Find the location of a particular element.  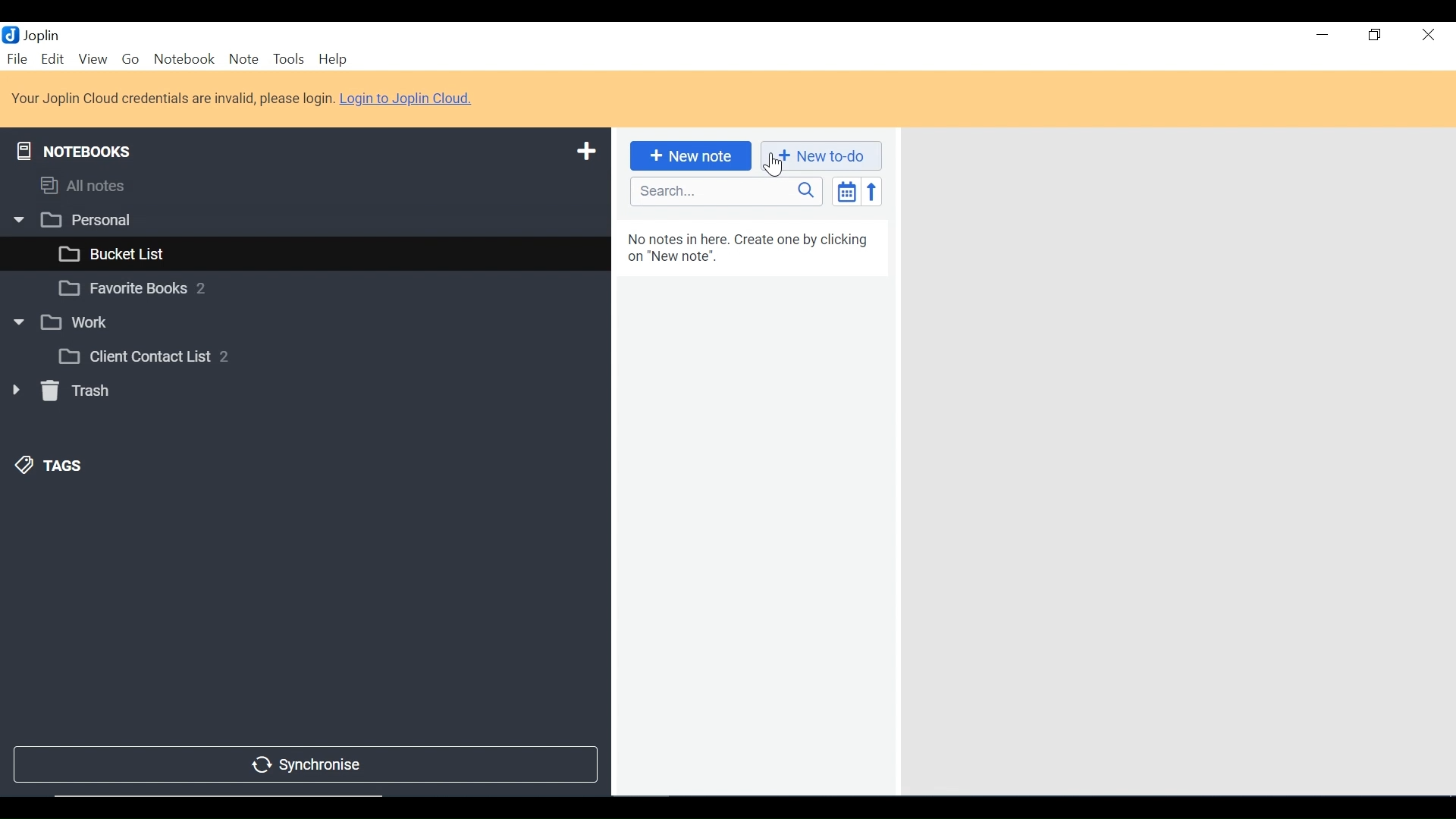

Tools is located at coordinates (290, 60).